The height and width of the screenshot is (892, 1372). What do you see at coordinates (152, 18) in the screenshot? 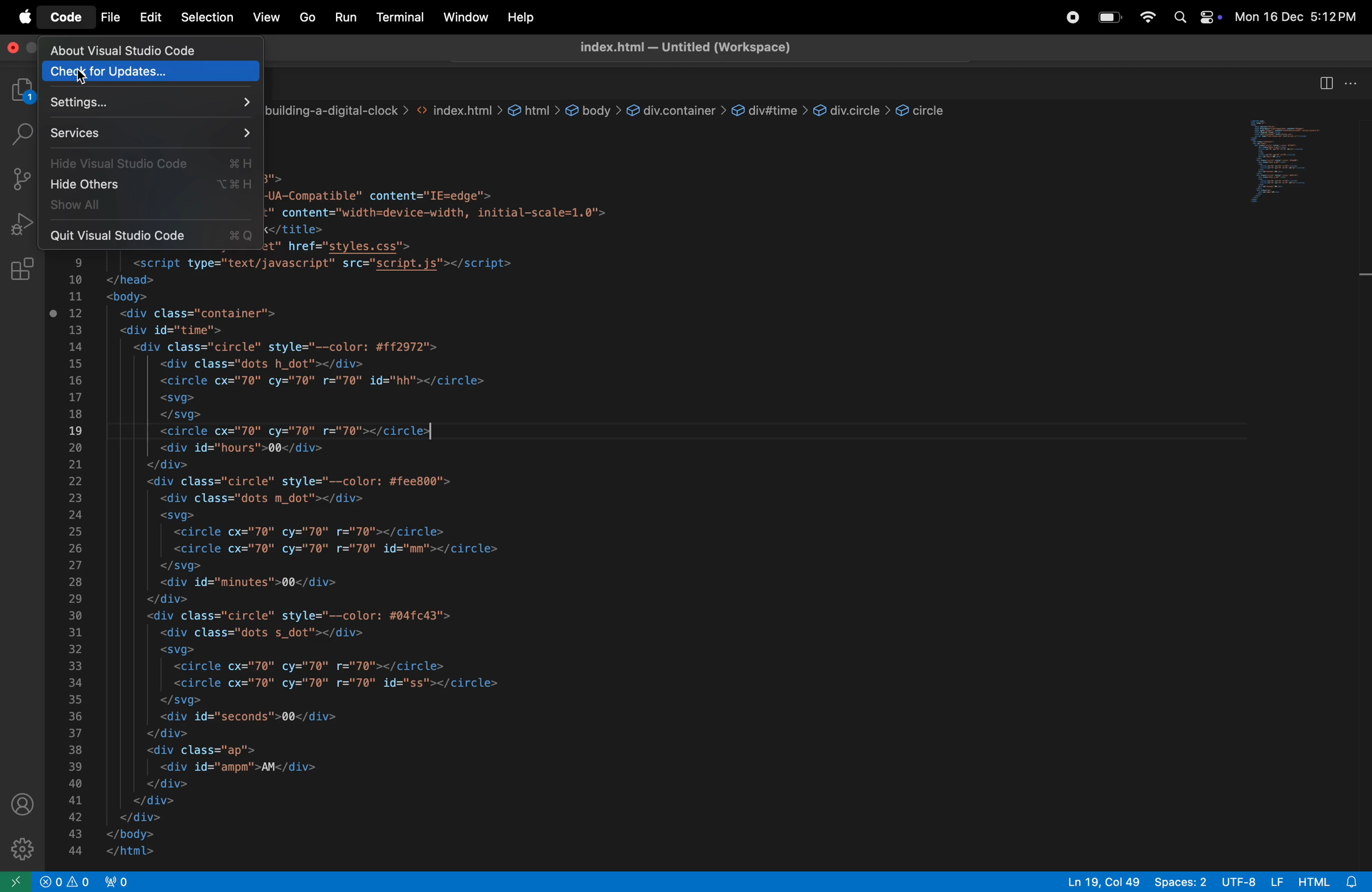
I see `Edit` at bounding box center [152, 18].